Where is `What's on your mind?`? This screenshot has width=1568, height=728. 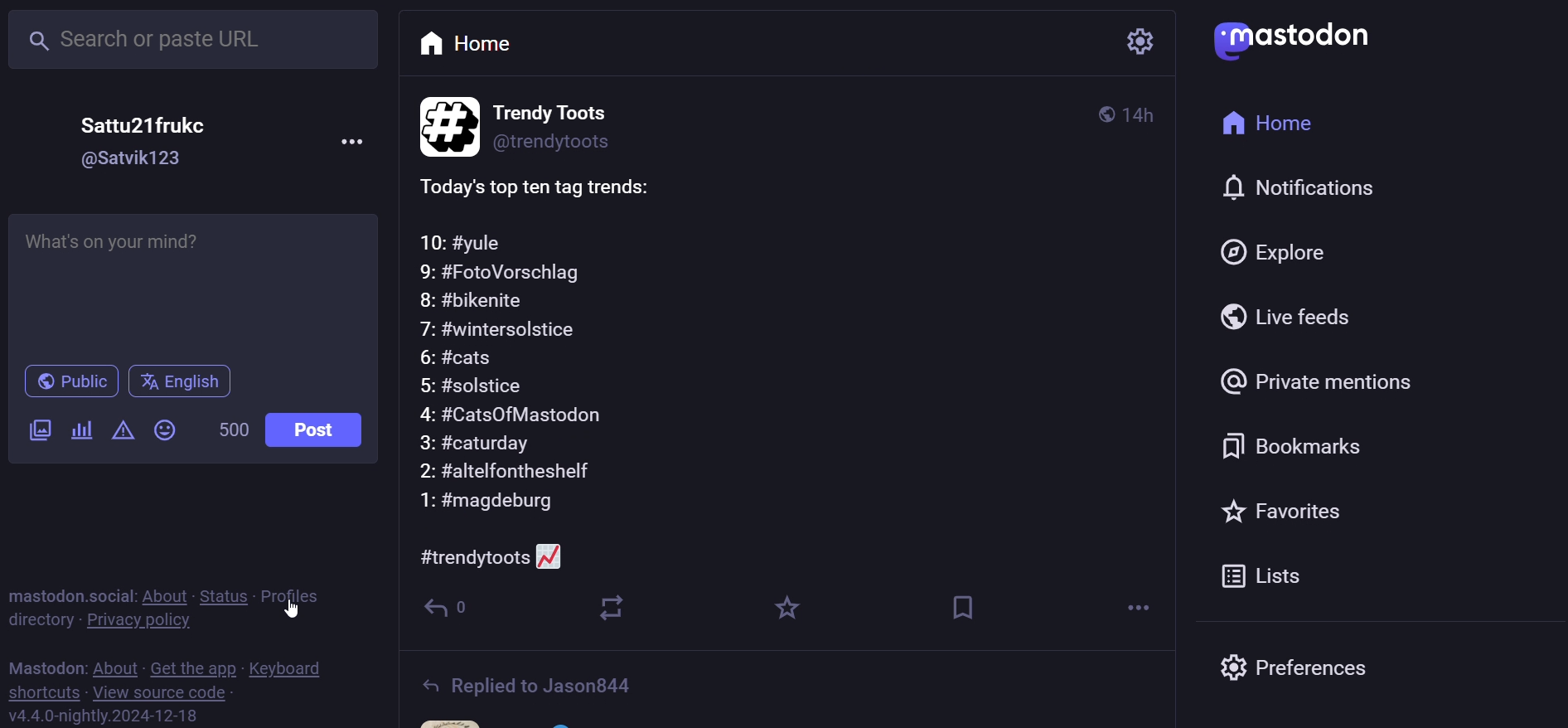 What's on your mind? is located at coordinates (193, 285).